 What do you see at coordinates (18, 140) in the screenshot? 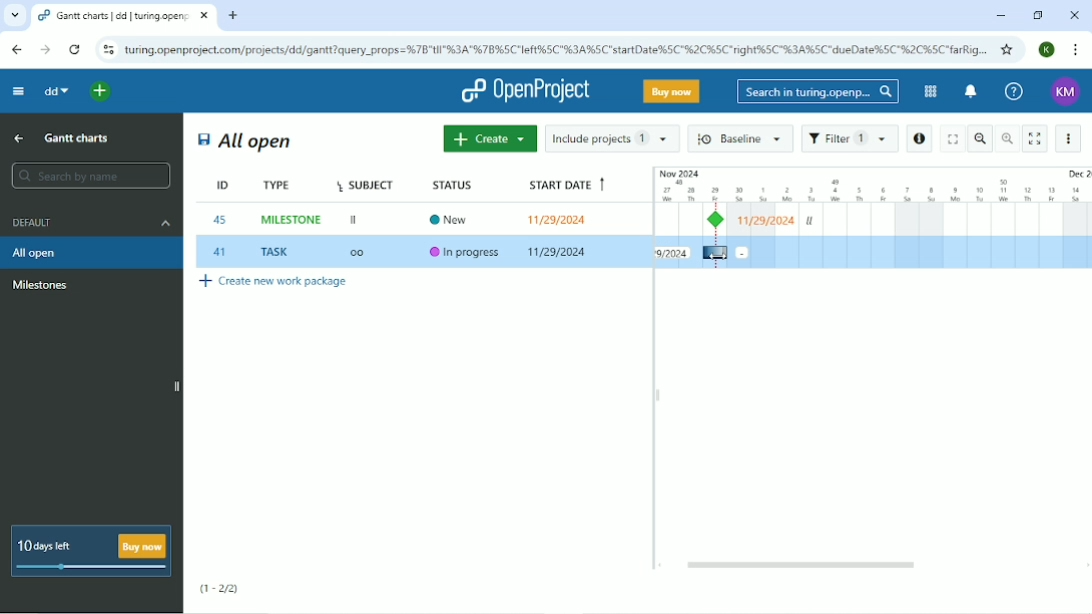
I see `Up` at bounding box center [18, 140].